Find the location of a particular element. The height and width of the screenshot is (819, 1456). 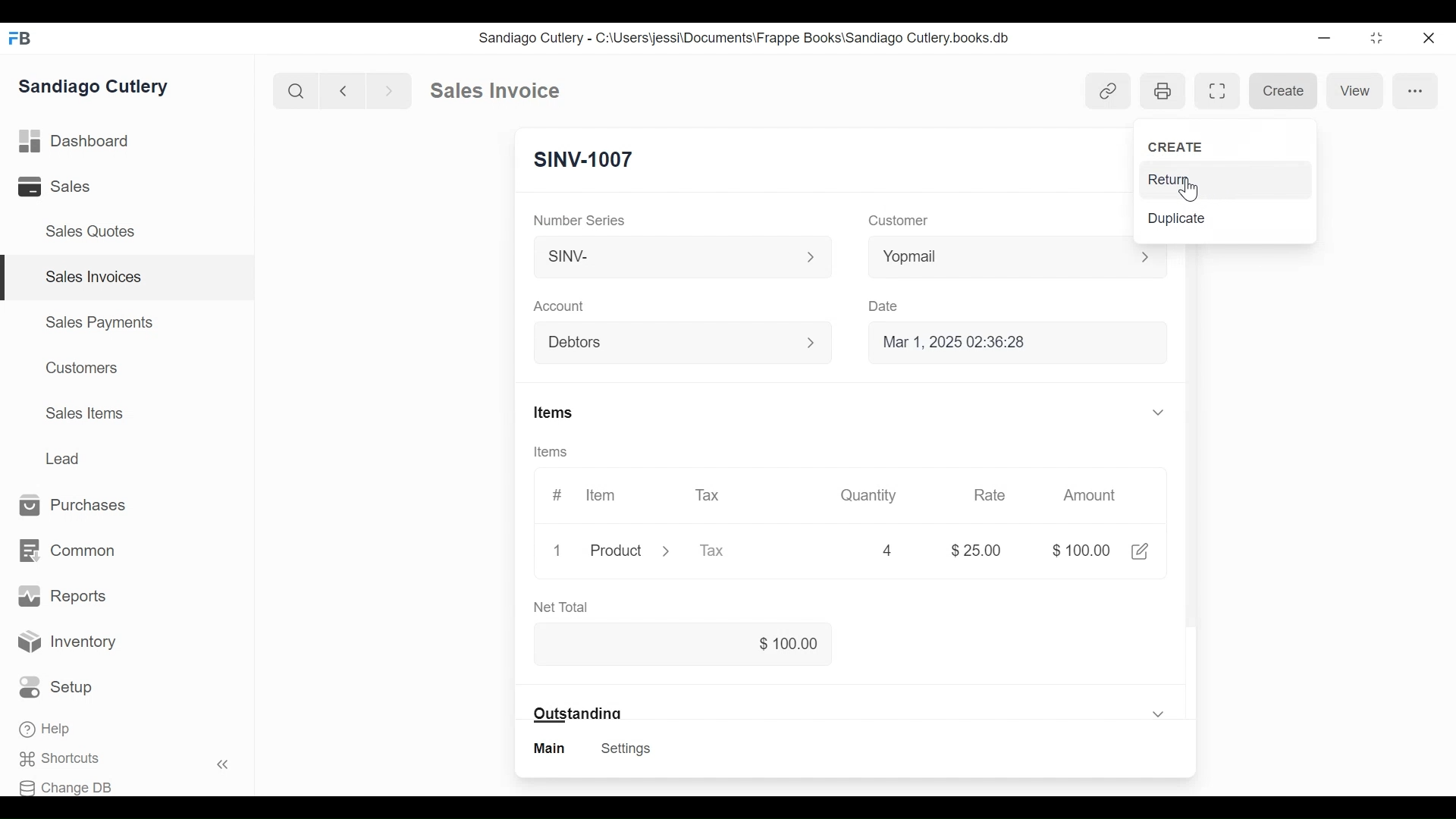

Minimize is located at coordinates (1323, 38).